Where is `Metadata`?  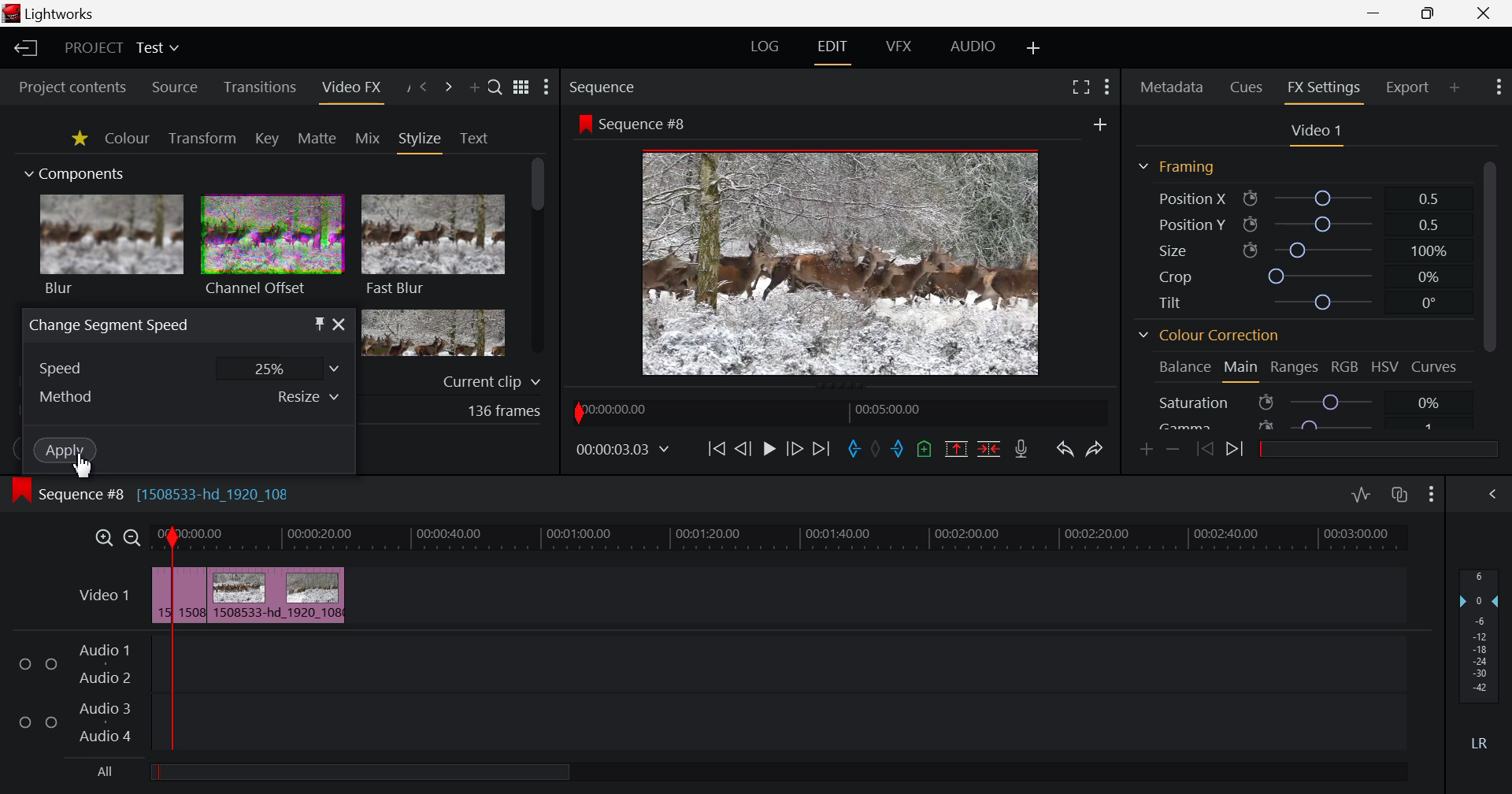
Metadata is located at coordinates (1170, 88).